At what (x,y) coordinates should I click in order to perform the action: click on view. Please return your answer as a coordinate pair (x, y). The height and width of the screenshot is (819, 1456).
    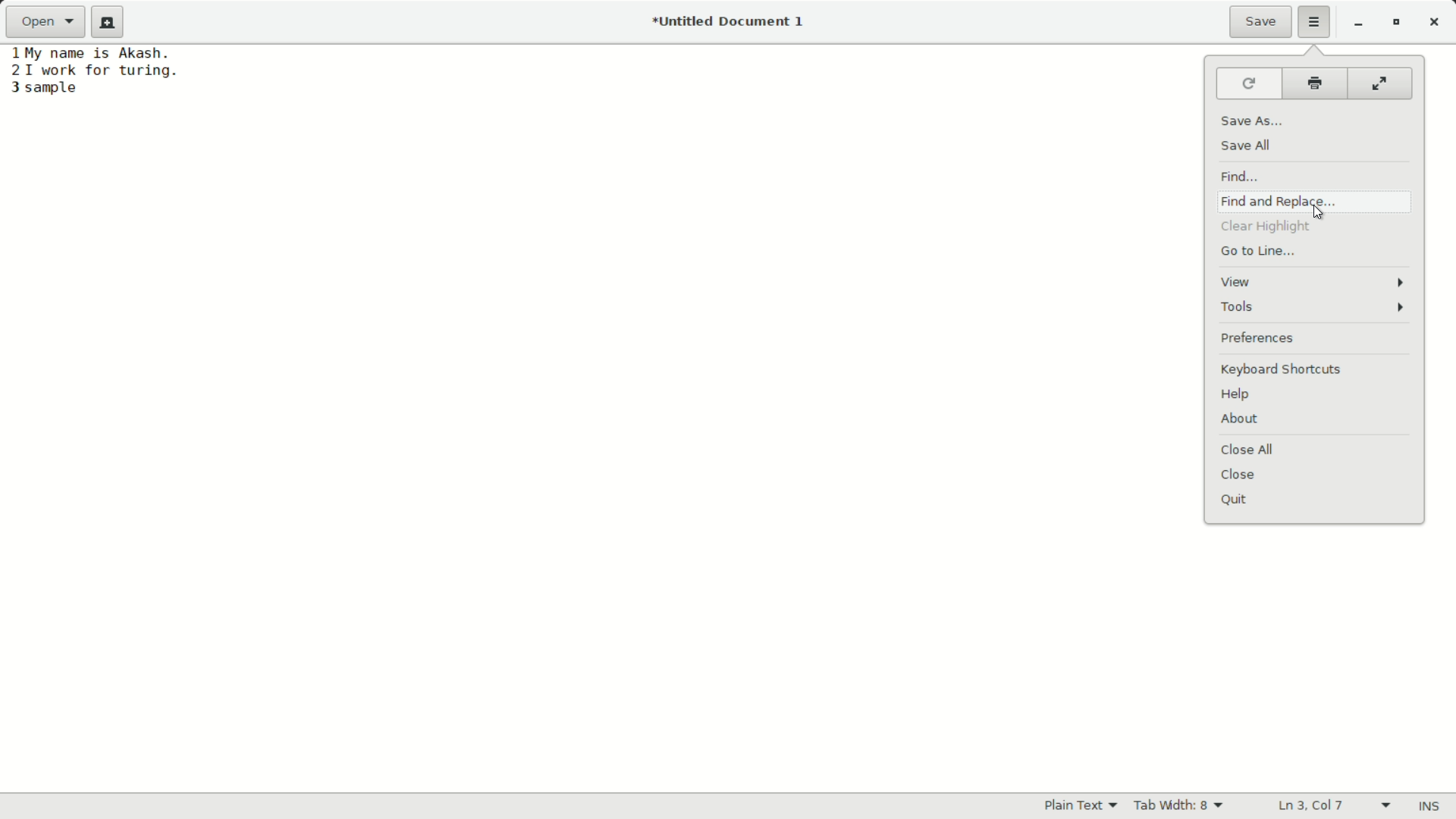
    Looking at the image, I should click on (1318, 283).